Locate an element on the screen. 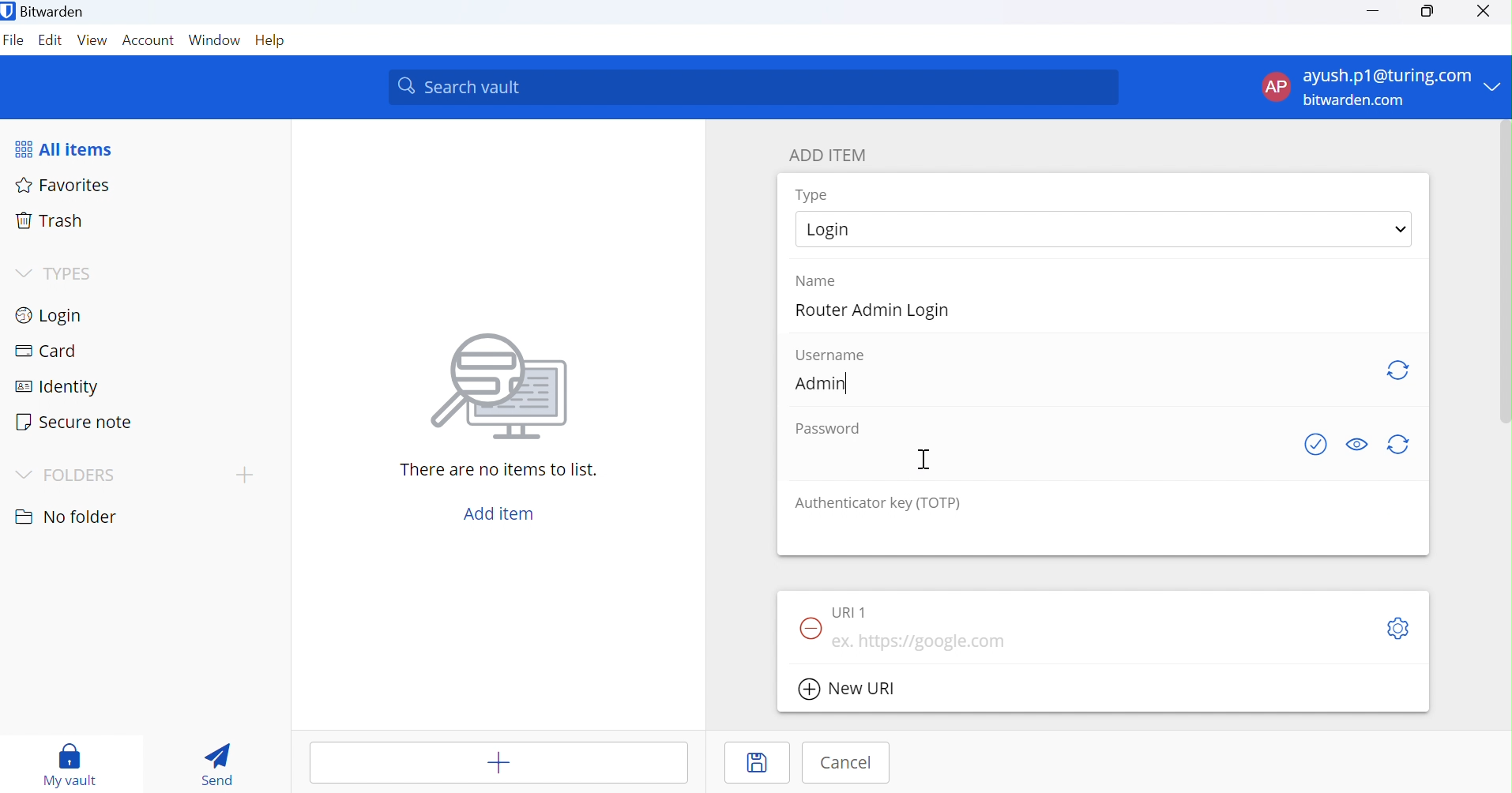 The image size is (1512, 793). Restore Down is located at coordinates (1427, 12).